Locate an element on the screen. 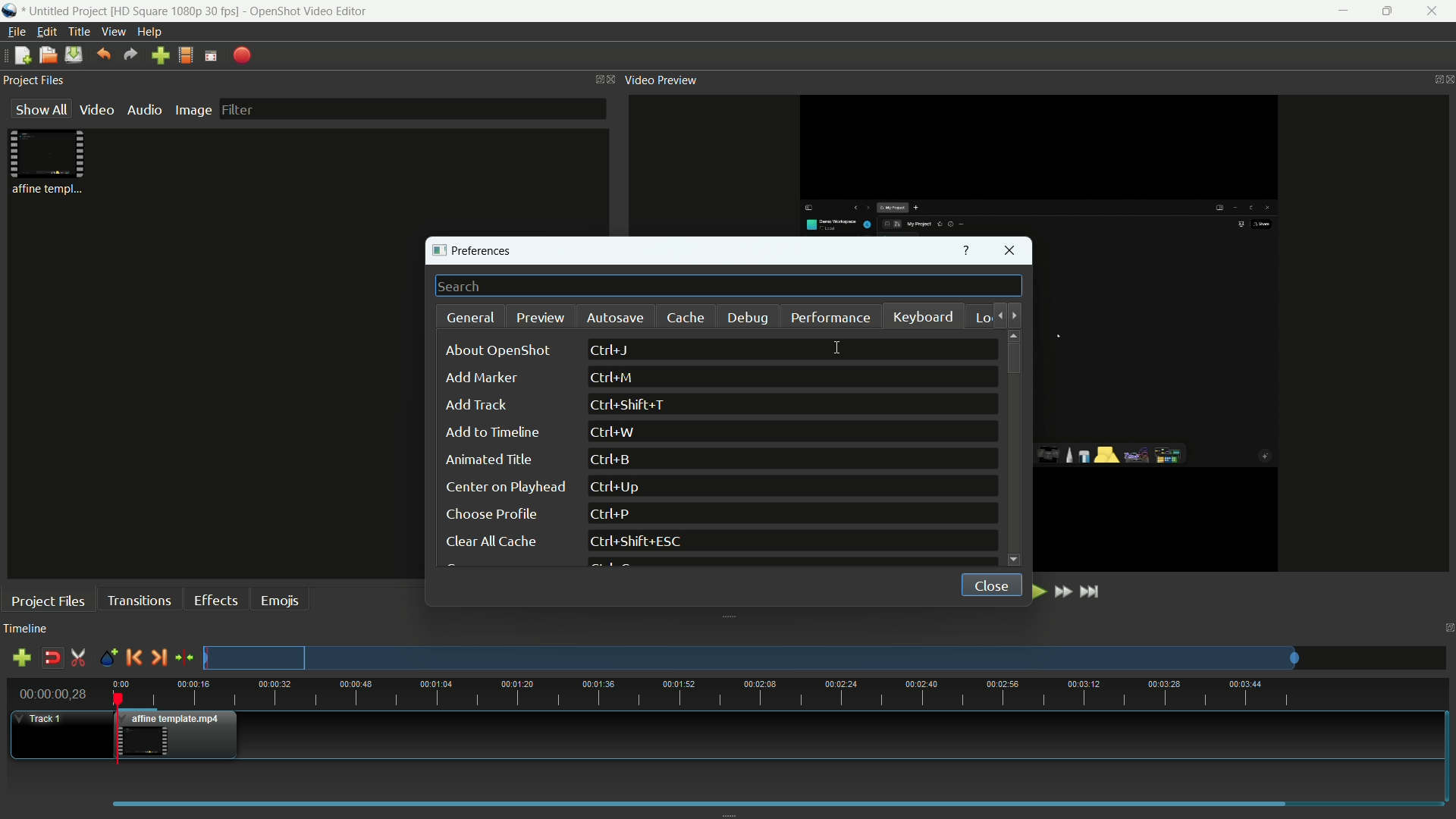  undo is located at coordinates (103, 54).